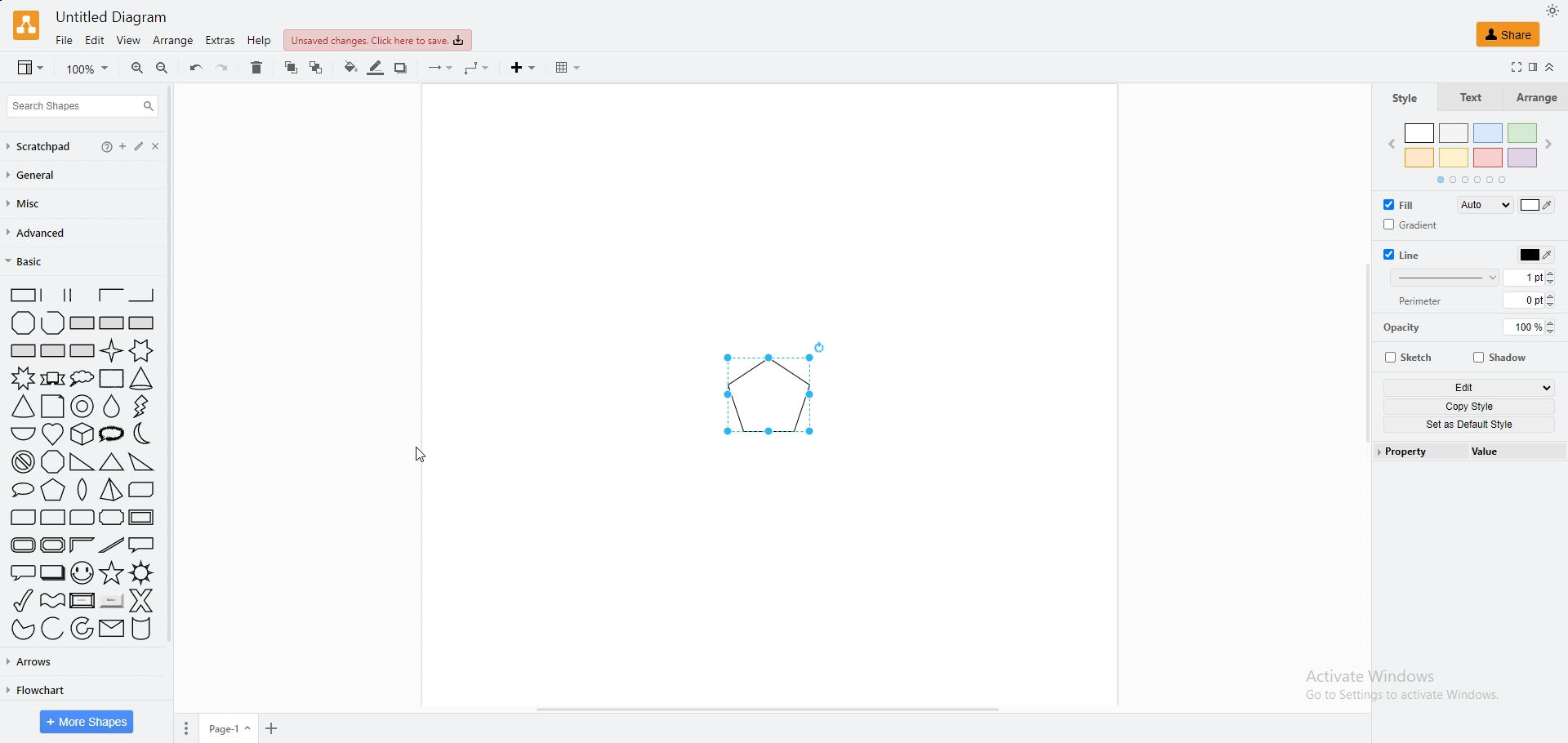 The width and height of the screenshot is (1568, 743). What do you see at coordinates (1508, 33) in the screenshot?
I see `share button` at bounding box center [1508, 33].